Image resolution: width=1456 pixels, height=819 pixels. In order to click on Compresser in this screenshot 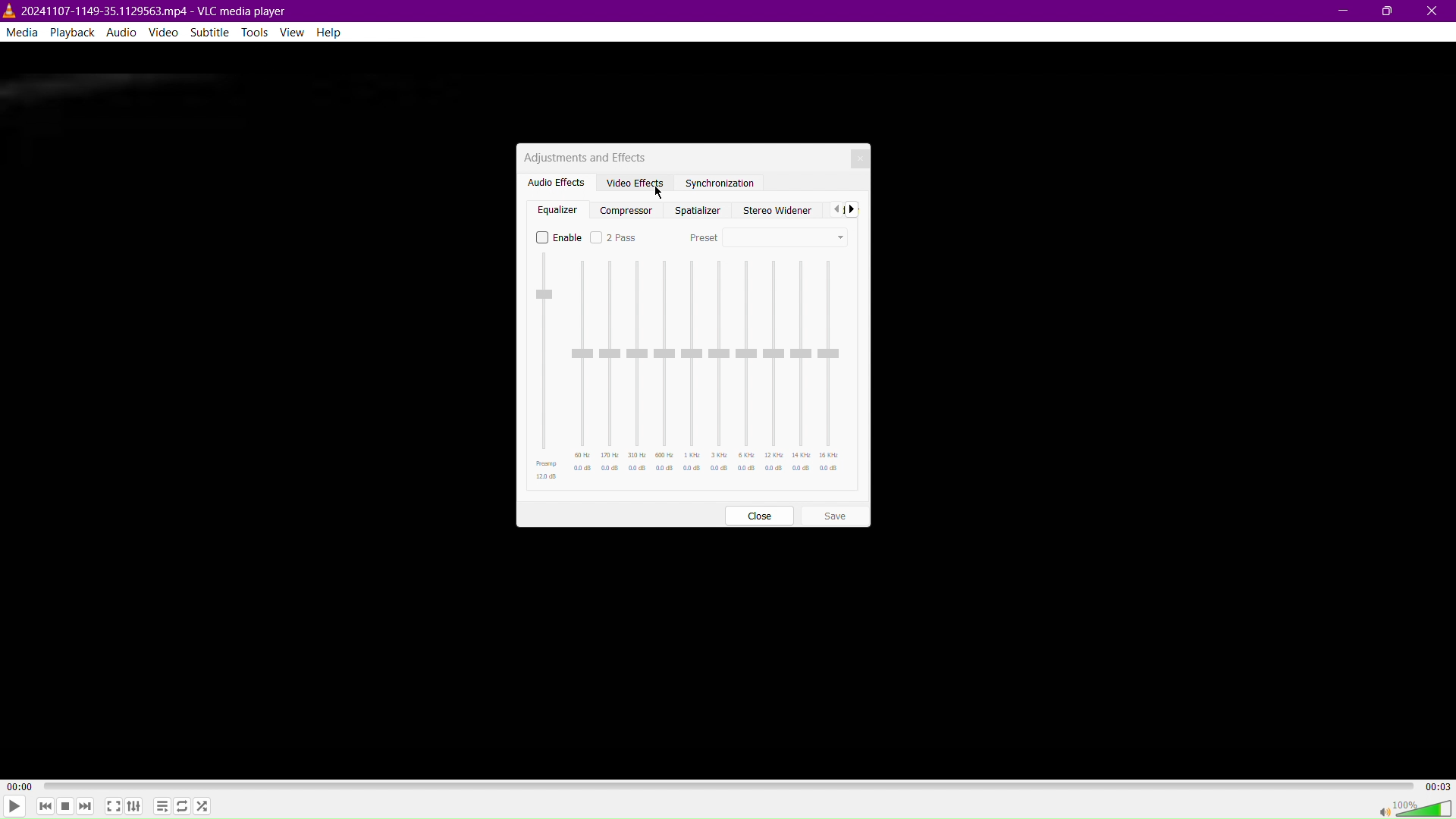, I will do `click(629, 208)`.